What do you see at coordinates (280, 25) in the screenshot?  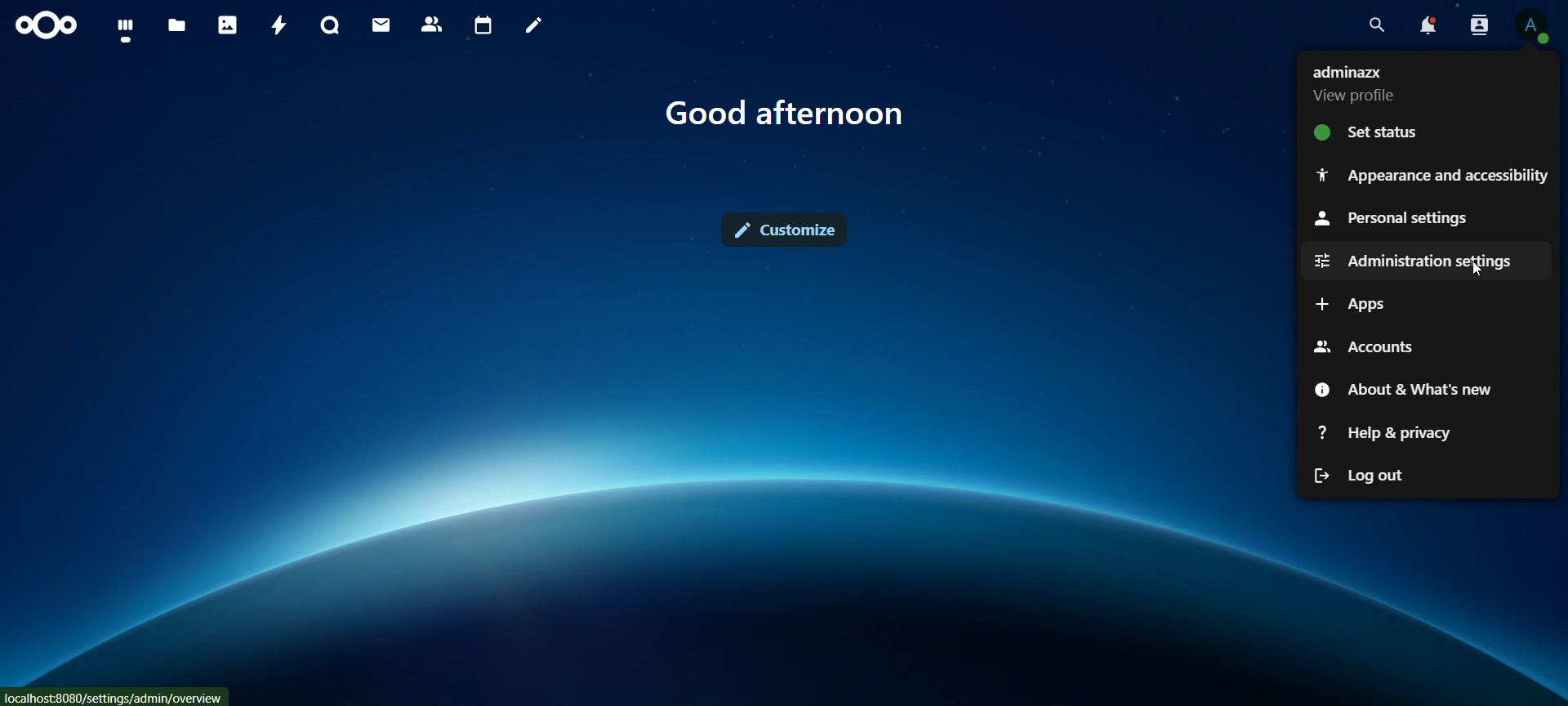 I see `activity` at bounding box center [280, 25].